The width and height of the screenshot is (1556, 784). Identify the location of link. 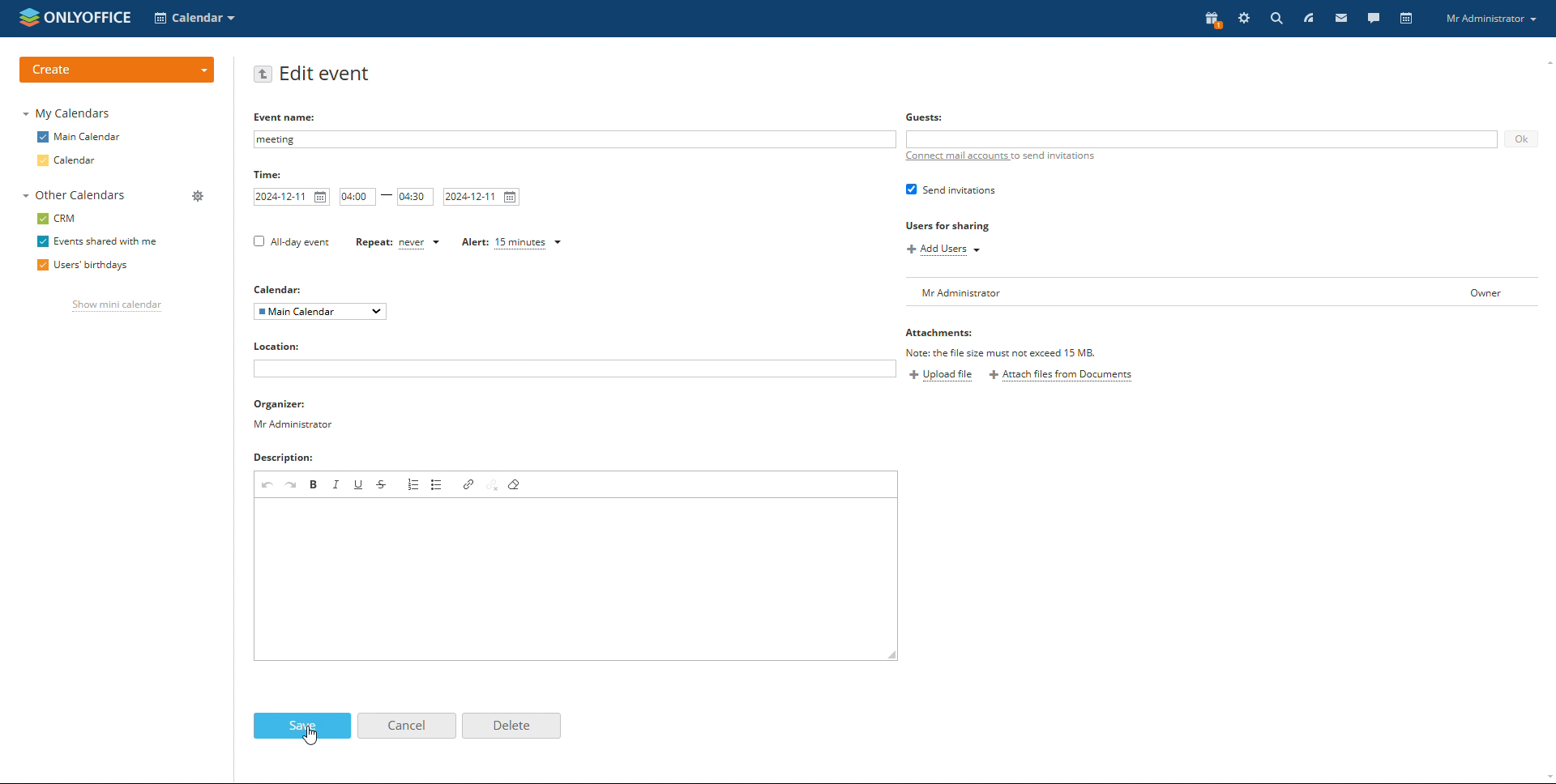
(468, 484).